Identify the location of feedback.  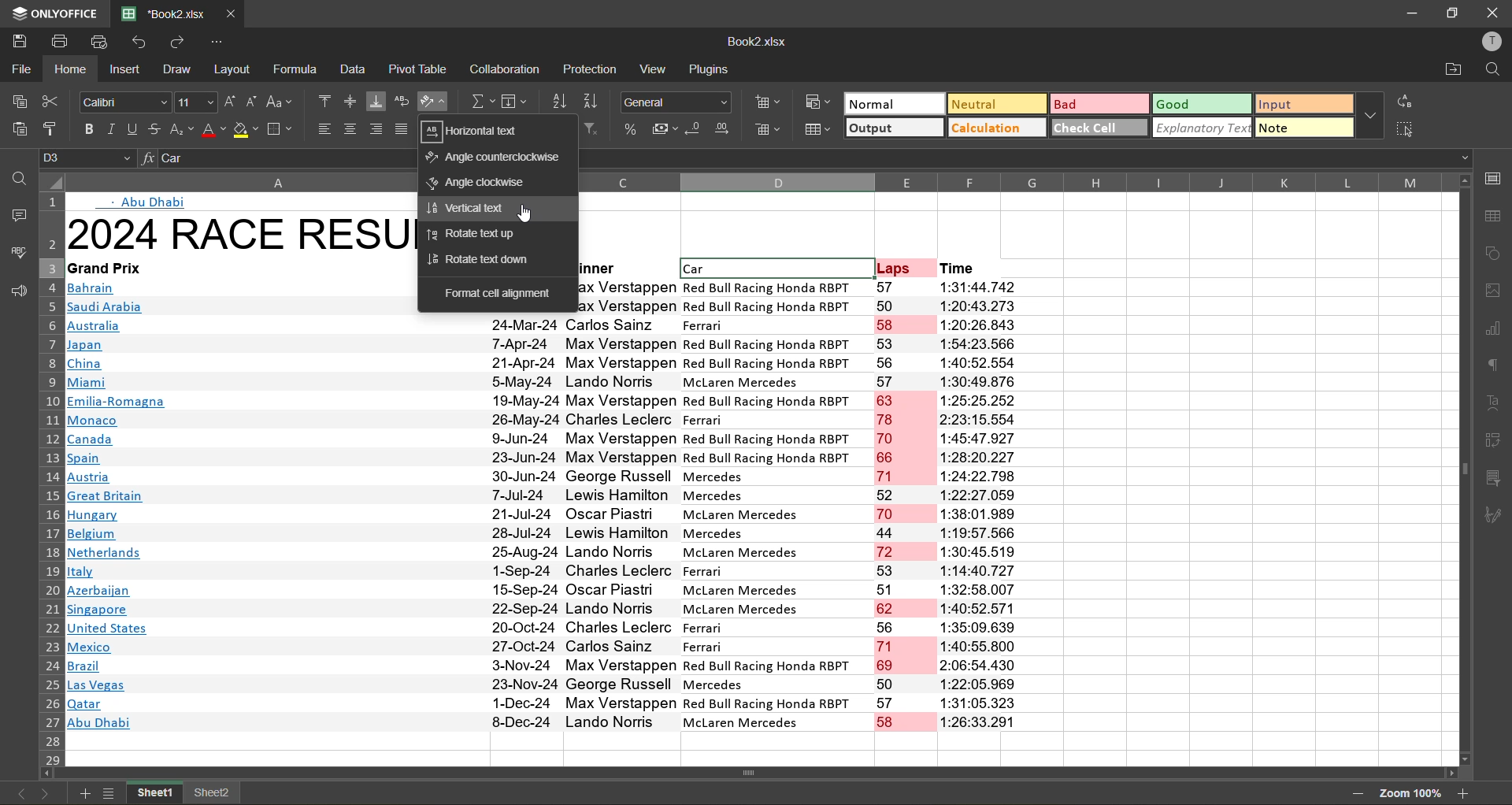
(18, 291).